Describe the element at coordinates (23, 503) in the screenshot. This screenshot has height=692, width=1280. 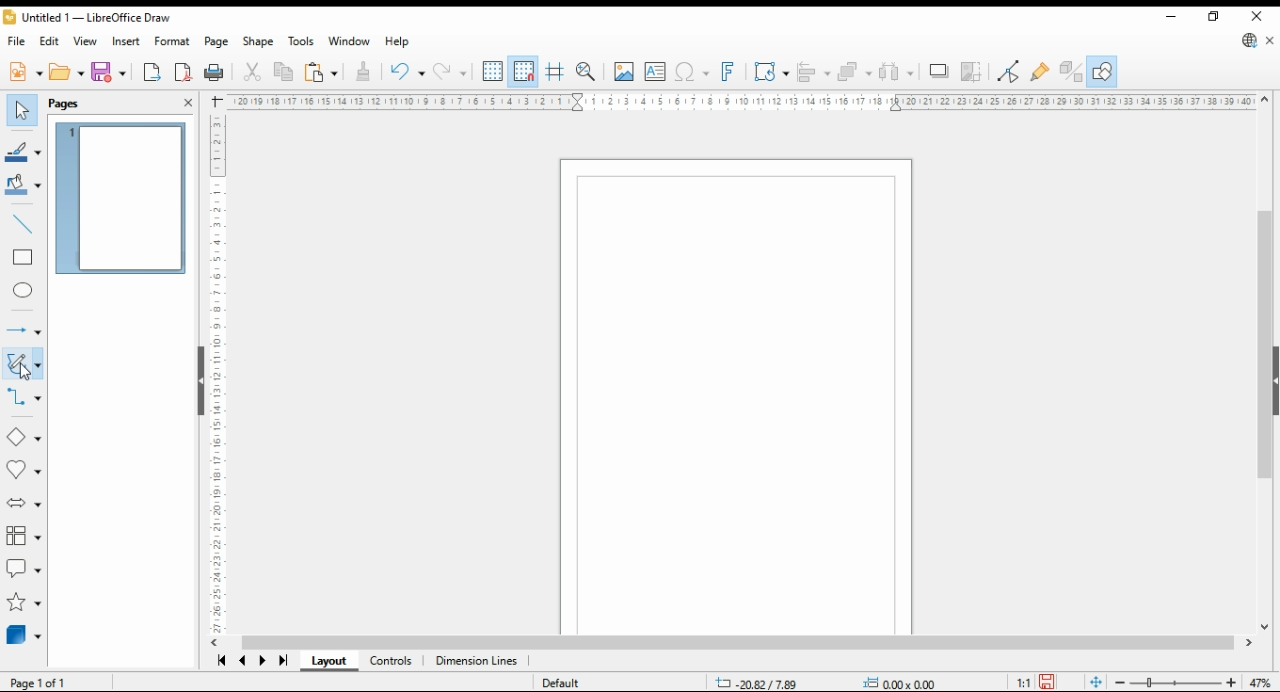
I see `block arrows` at that location.